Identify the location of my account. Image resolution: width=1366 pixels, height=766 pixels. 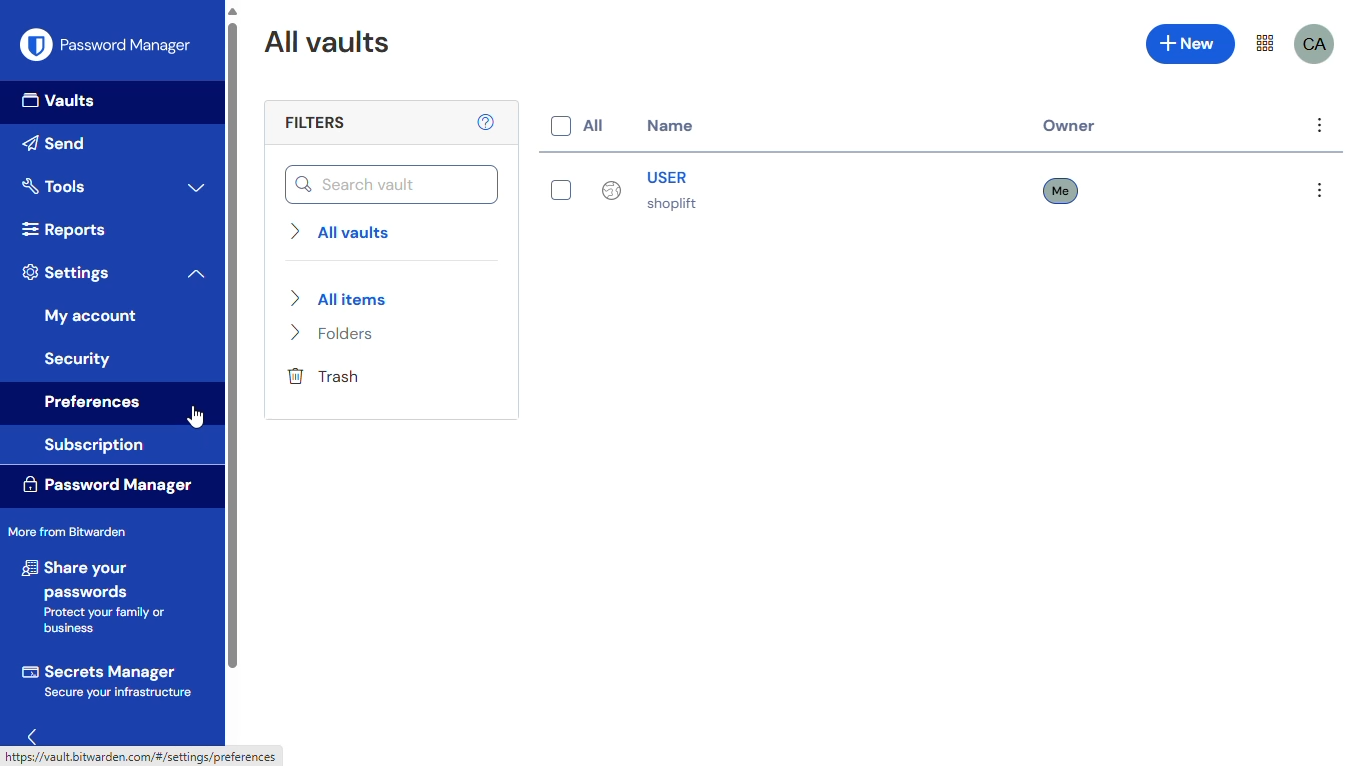
(91, 316).